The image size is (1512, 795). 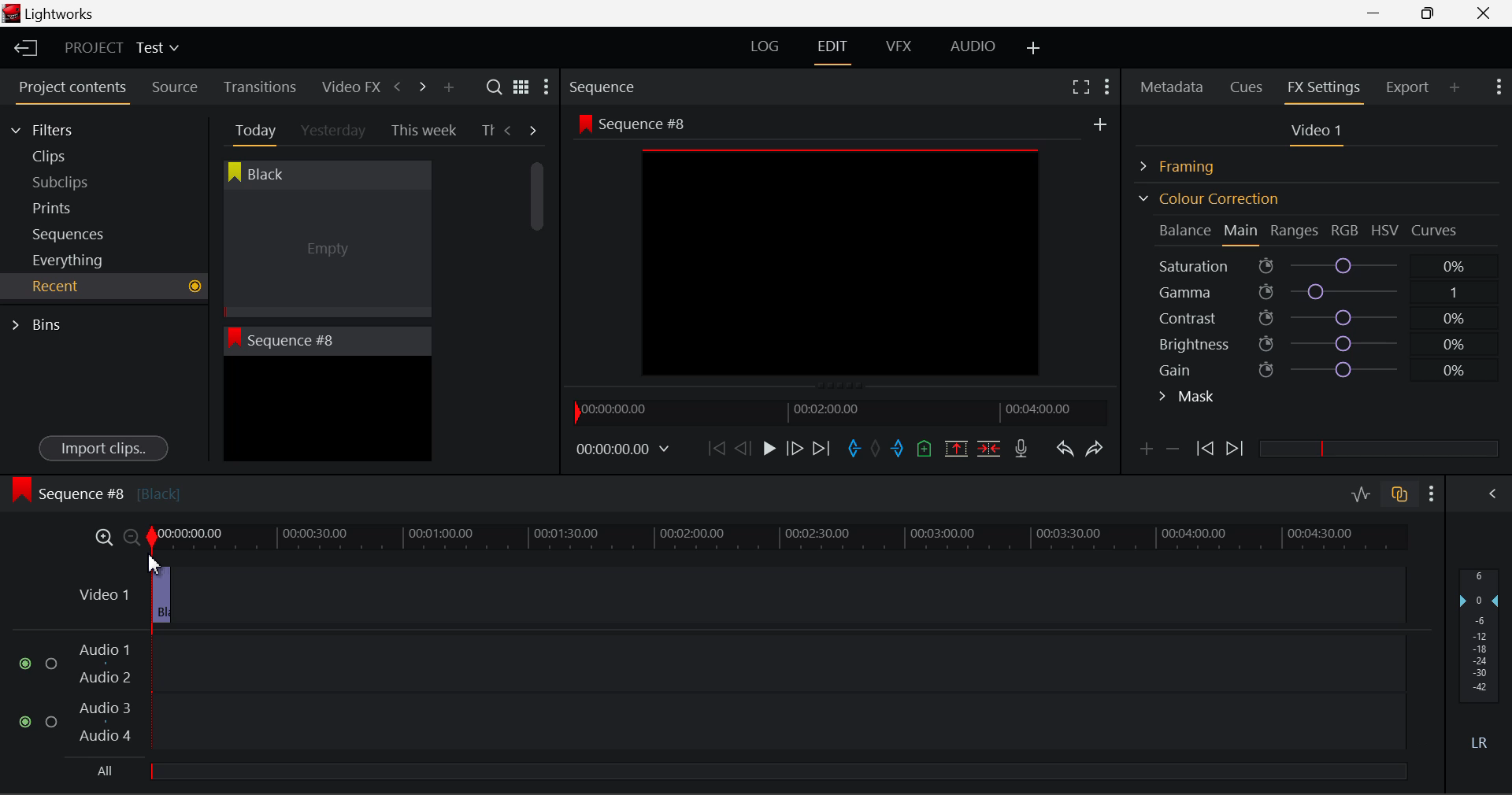 What do you see at coordinates (1432, 13) in the screenshot?
I see `Minimize` at bounding box center [1432, 13].